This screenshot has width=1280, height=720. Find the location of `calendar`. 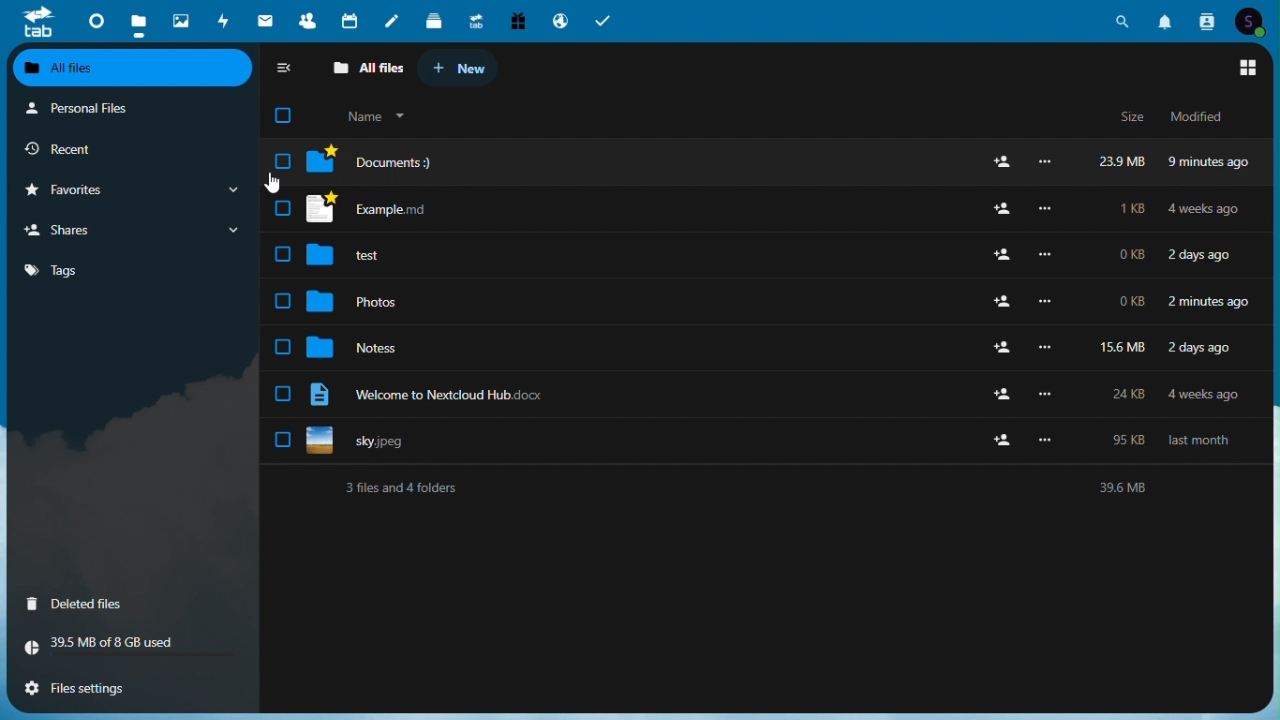

calendar is located at coordinates (351, 20).